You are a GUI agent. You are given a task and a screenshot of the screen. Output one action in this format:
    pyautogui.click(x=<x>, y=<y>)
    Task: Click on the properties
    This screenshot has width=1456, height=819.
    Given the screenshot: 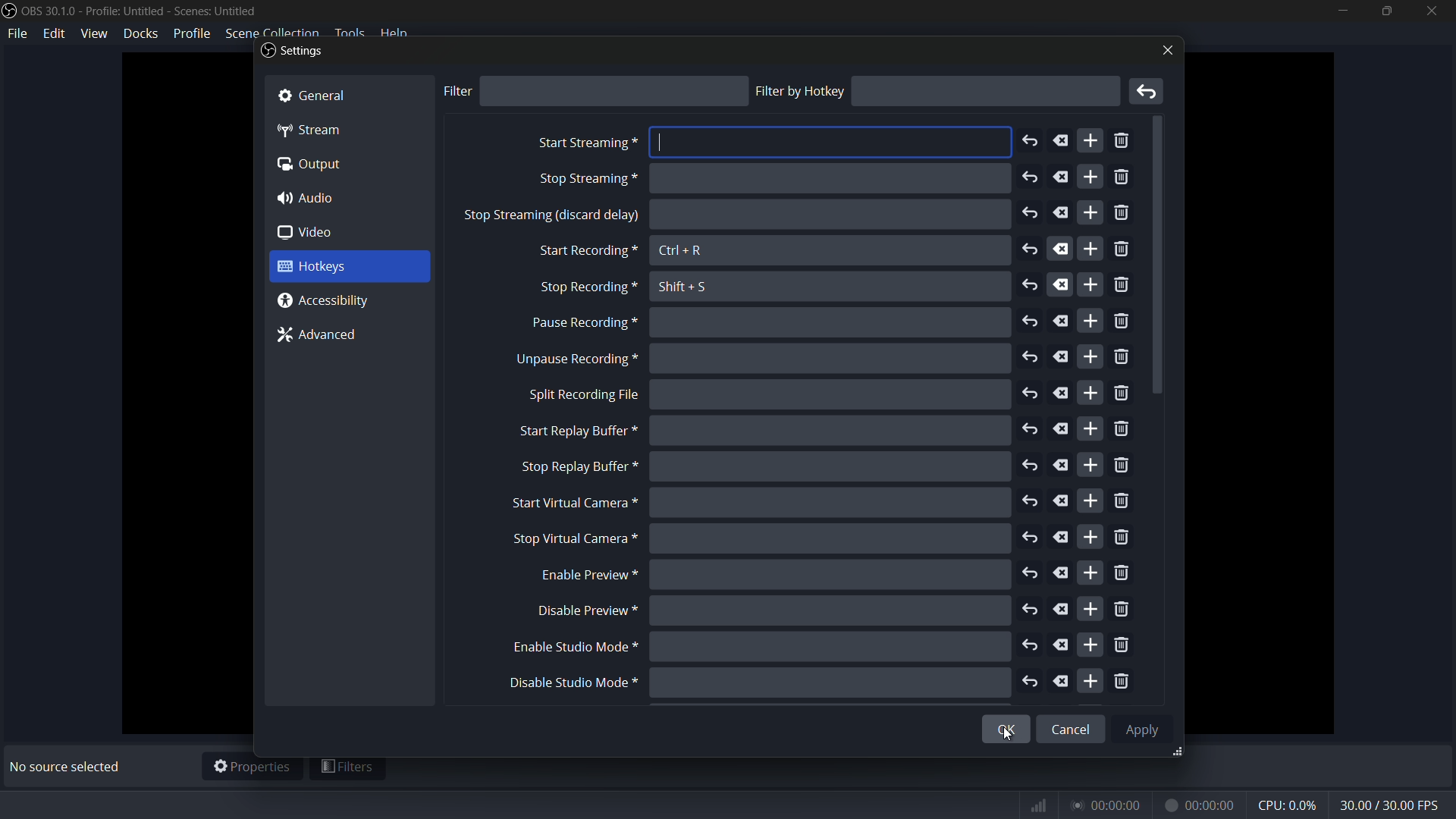 What is the action you would take?
    pyautogui.click(x=252, y=767)
    